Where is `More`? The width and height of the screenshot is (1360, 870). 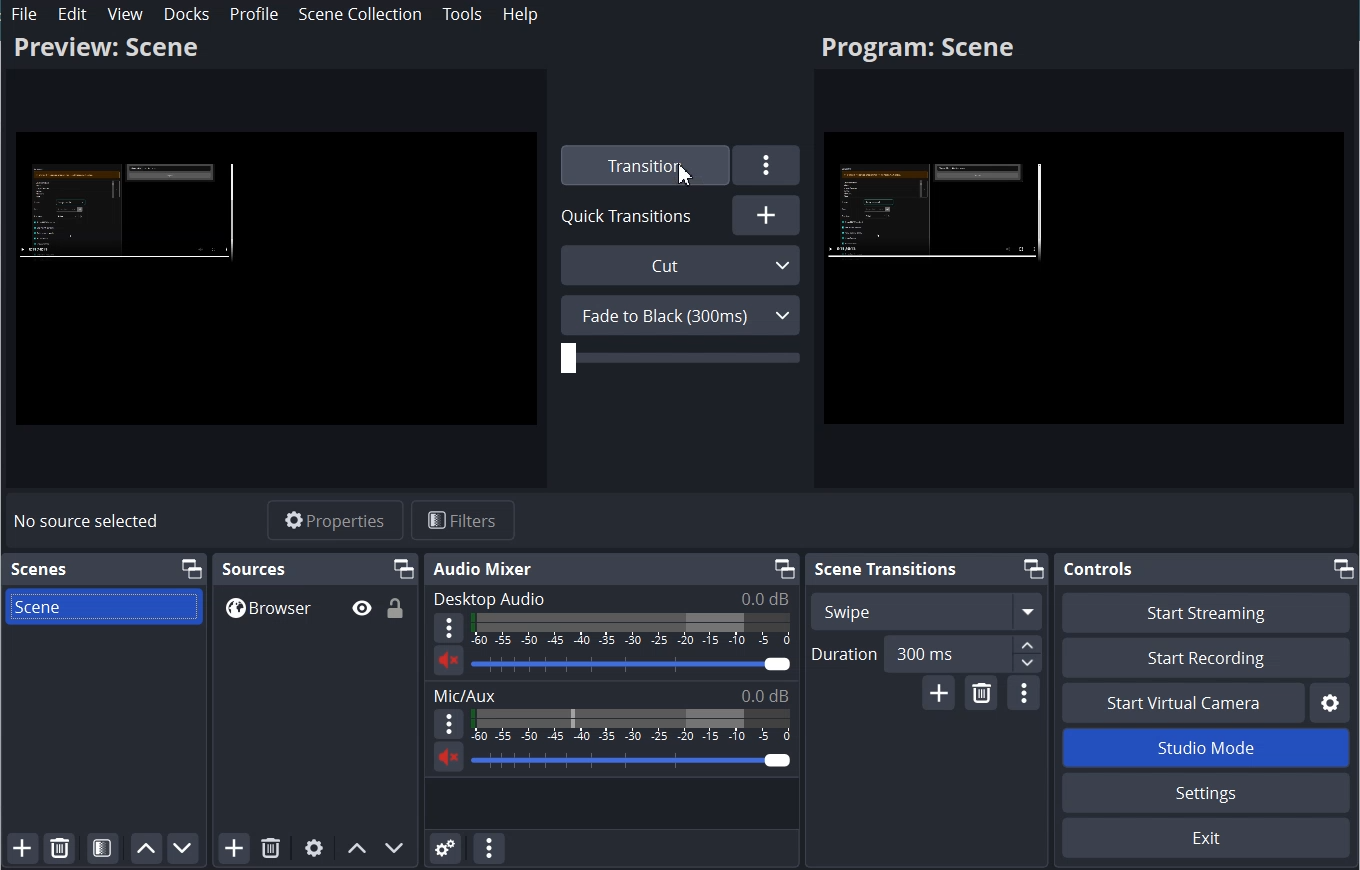 More is located at coordinates (449, 628).